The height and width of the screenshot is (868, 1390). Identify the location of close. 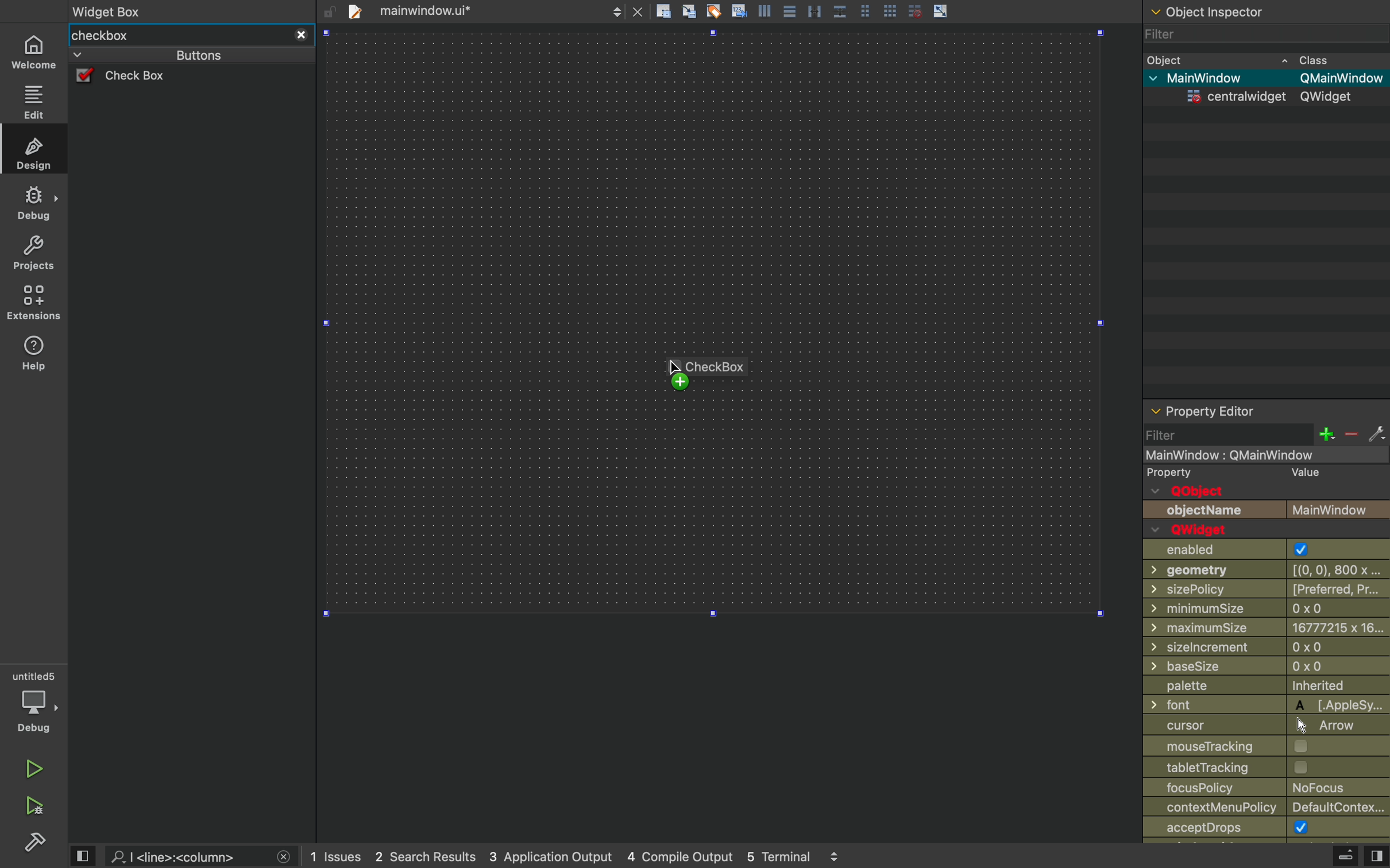
(284, 857).